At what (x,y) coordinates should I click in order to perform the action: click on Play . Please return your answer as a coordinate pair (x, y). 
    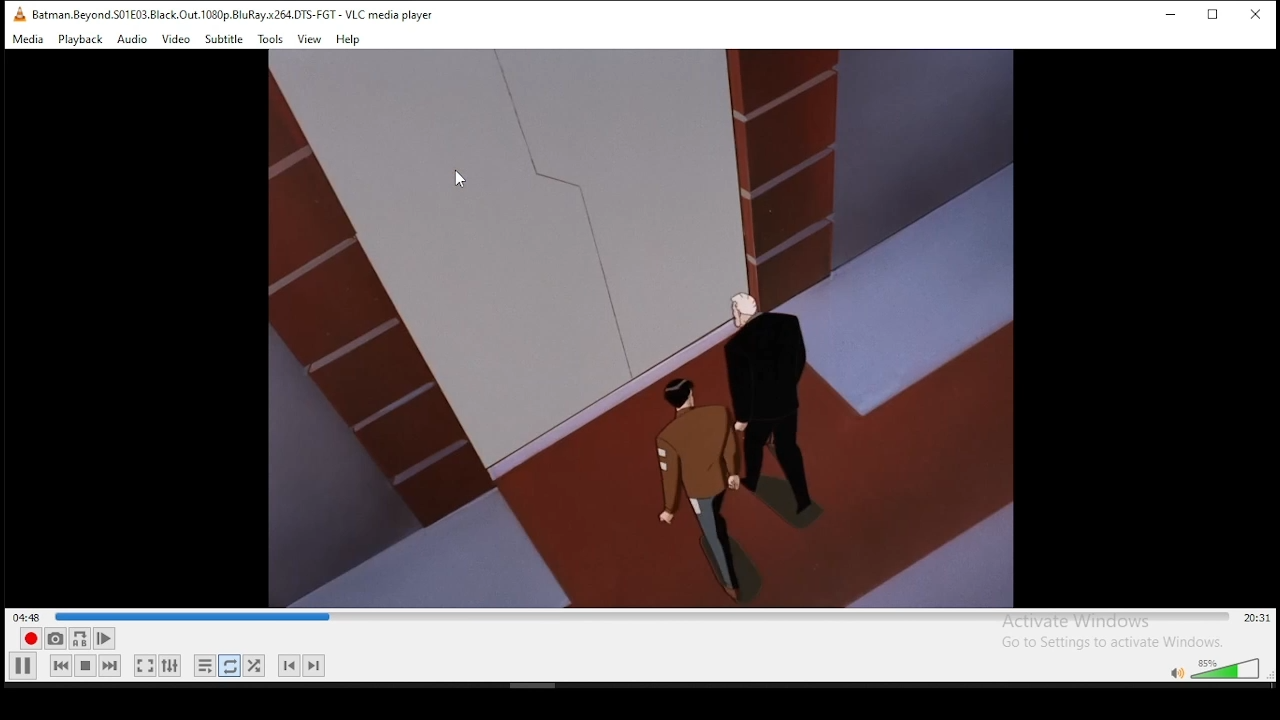
    Looking at the image, I should click on (107, 639).